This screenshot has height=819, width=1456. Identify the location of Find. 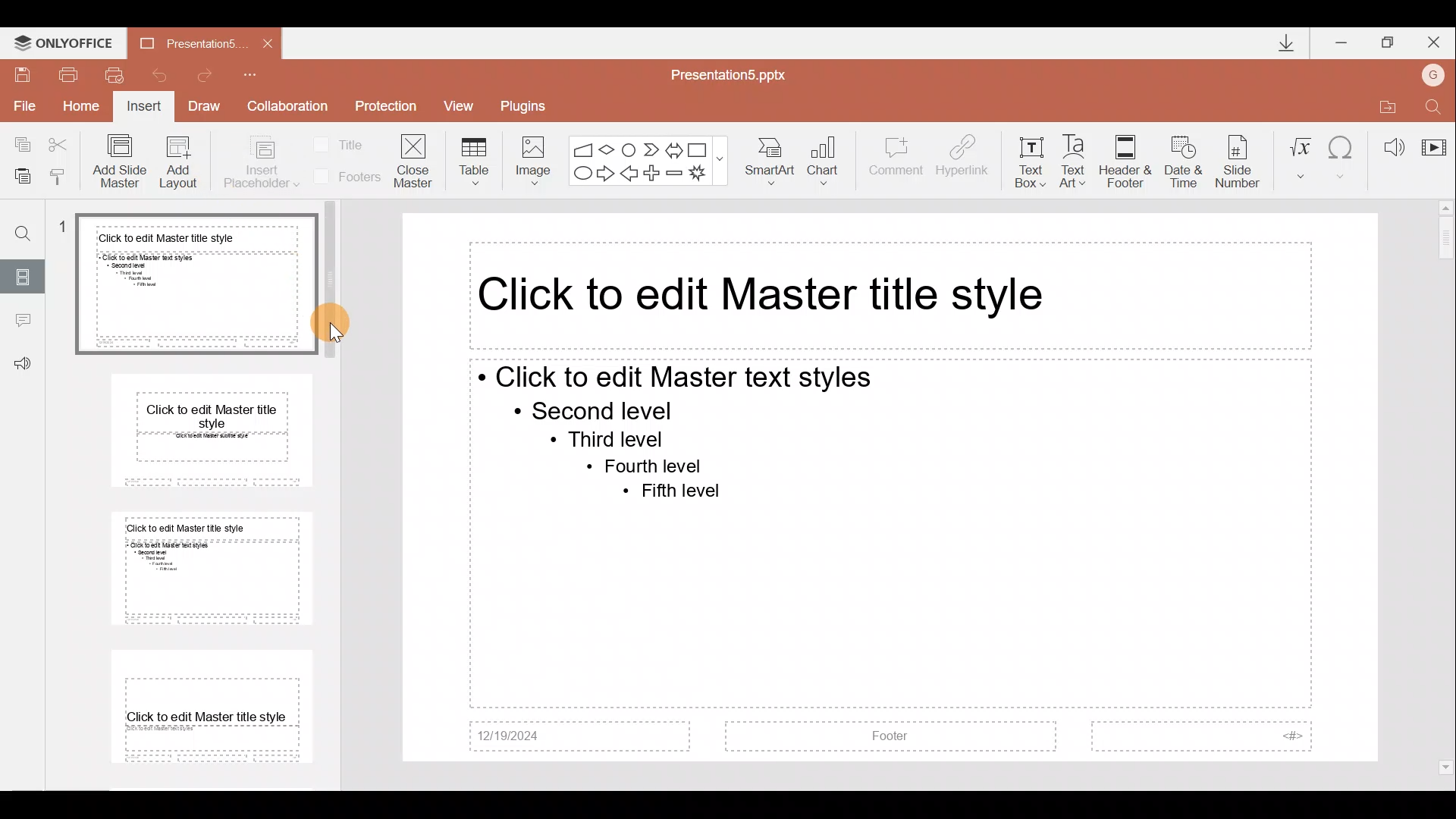
(17, 227).